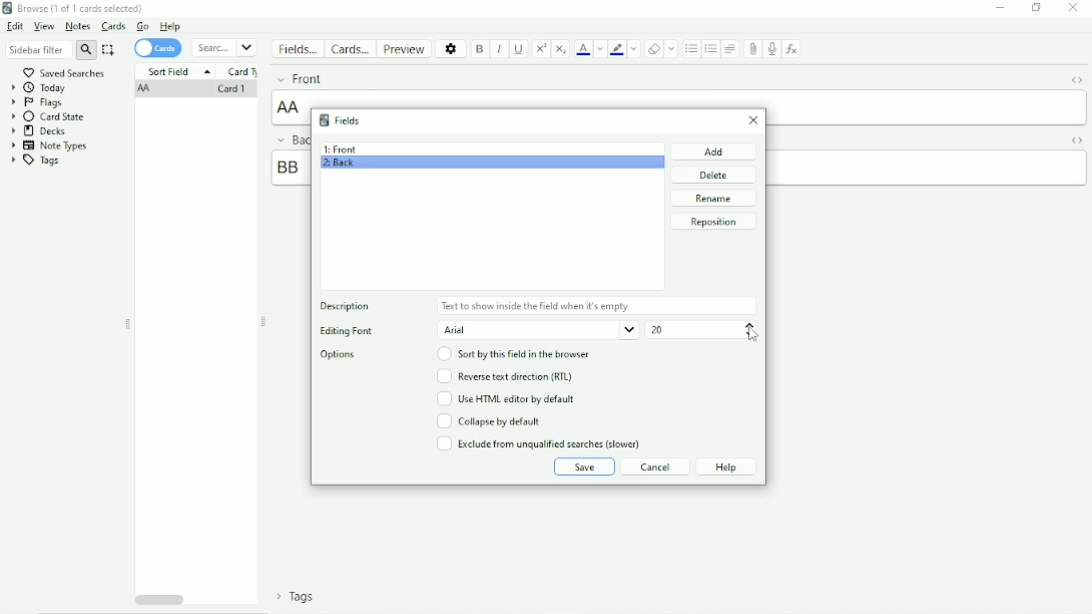 Image resolution: width=1092 pixels, height=614 pixels. I want to click on Card Type, so click(243, 72).